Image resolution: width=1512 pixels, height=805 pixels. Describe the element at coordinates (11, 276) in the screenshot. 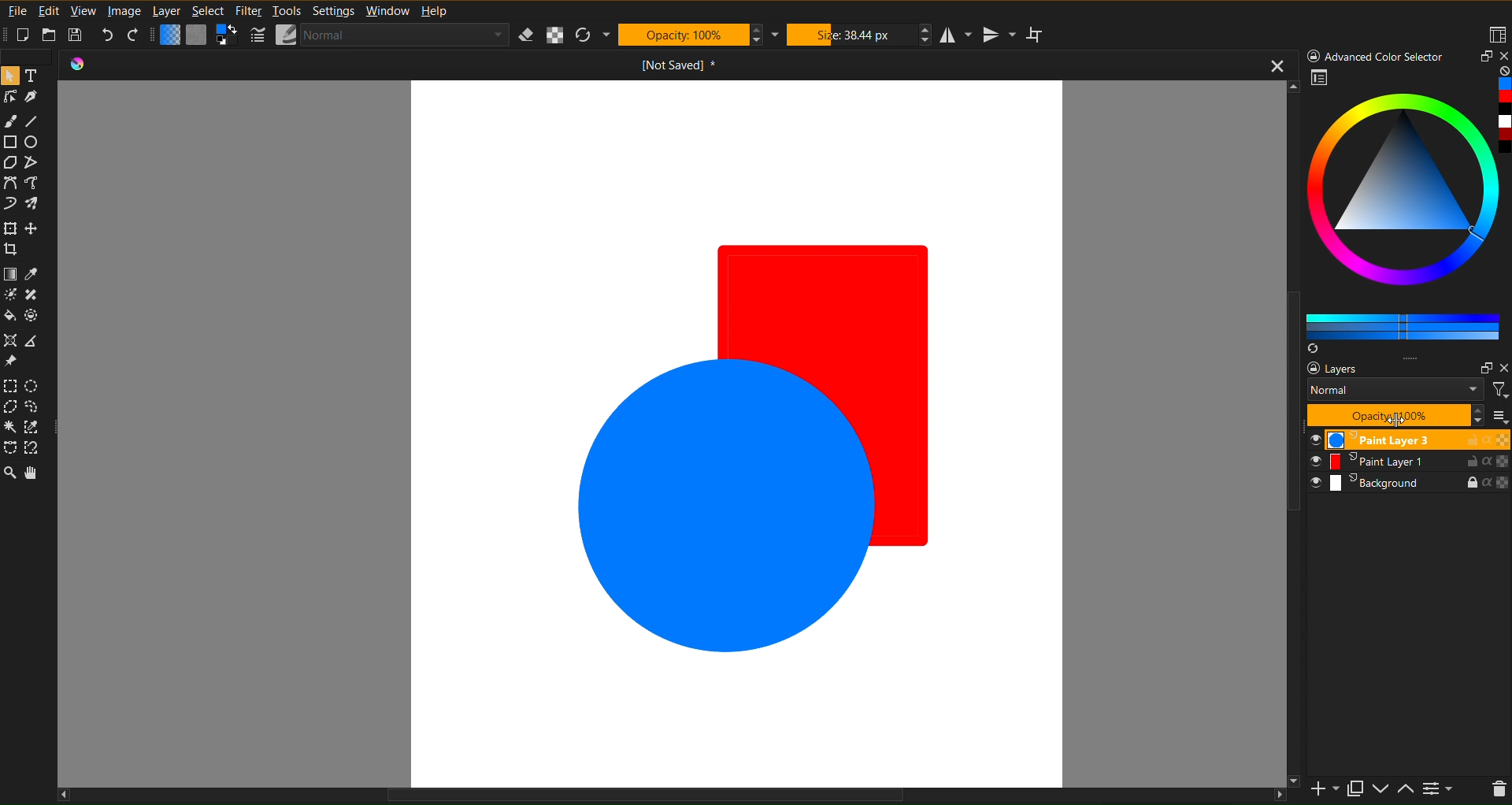

I see `Color Tool` at that location.